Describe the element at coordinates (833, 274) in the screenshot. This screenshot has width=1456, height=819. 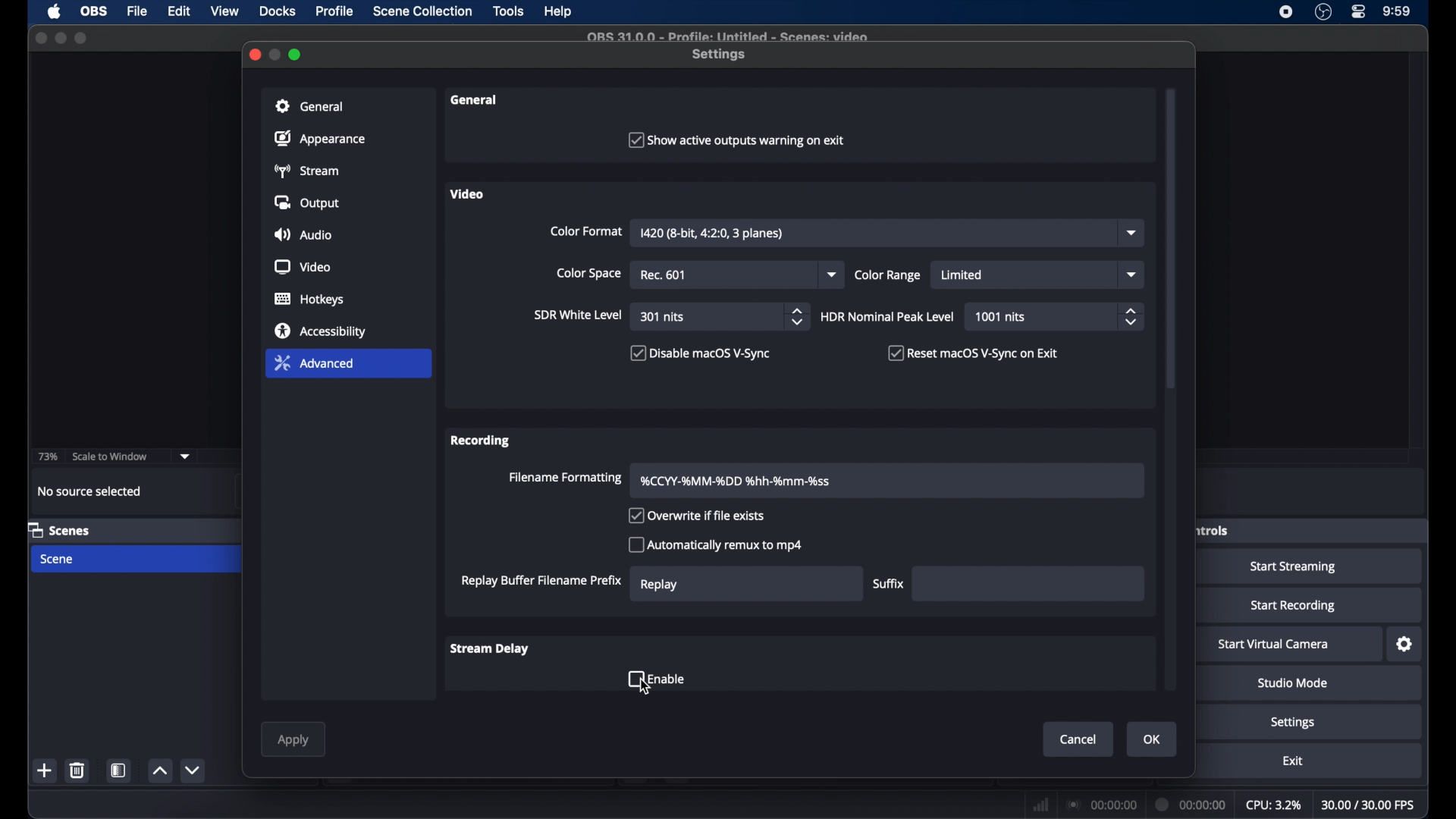
I see `dropdown` at that location.